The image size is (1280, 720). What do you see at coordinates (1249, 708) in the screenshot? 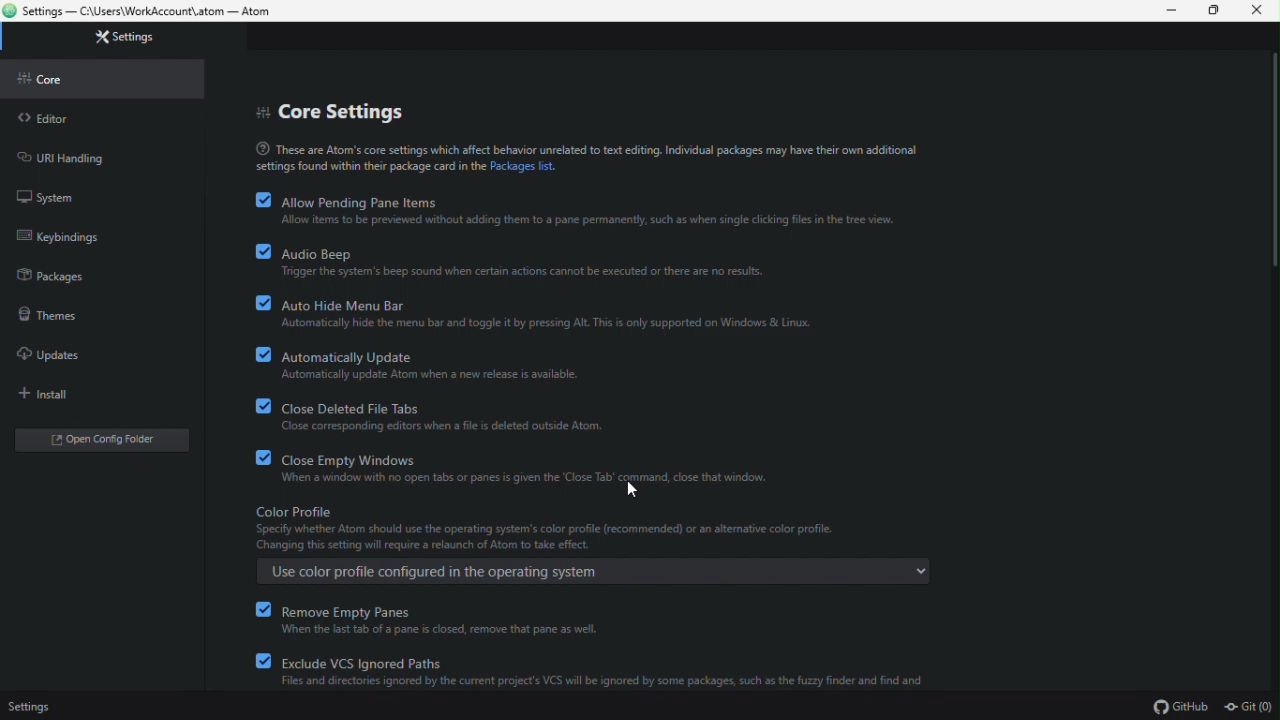
I see `Git (0)` at bounding box center [1249, 708].